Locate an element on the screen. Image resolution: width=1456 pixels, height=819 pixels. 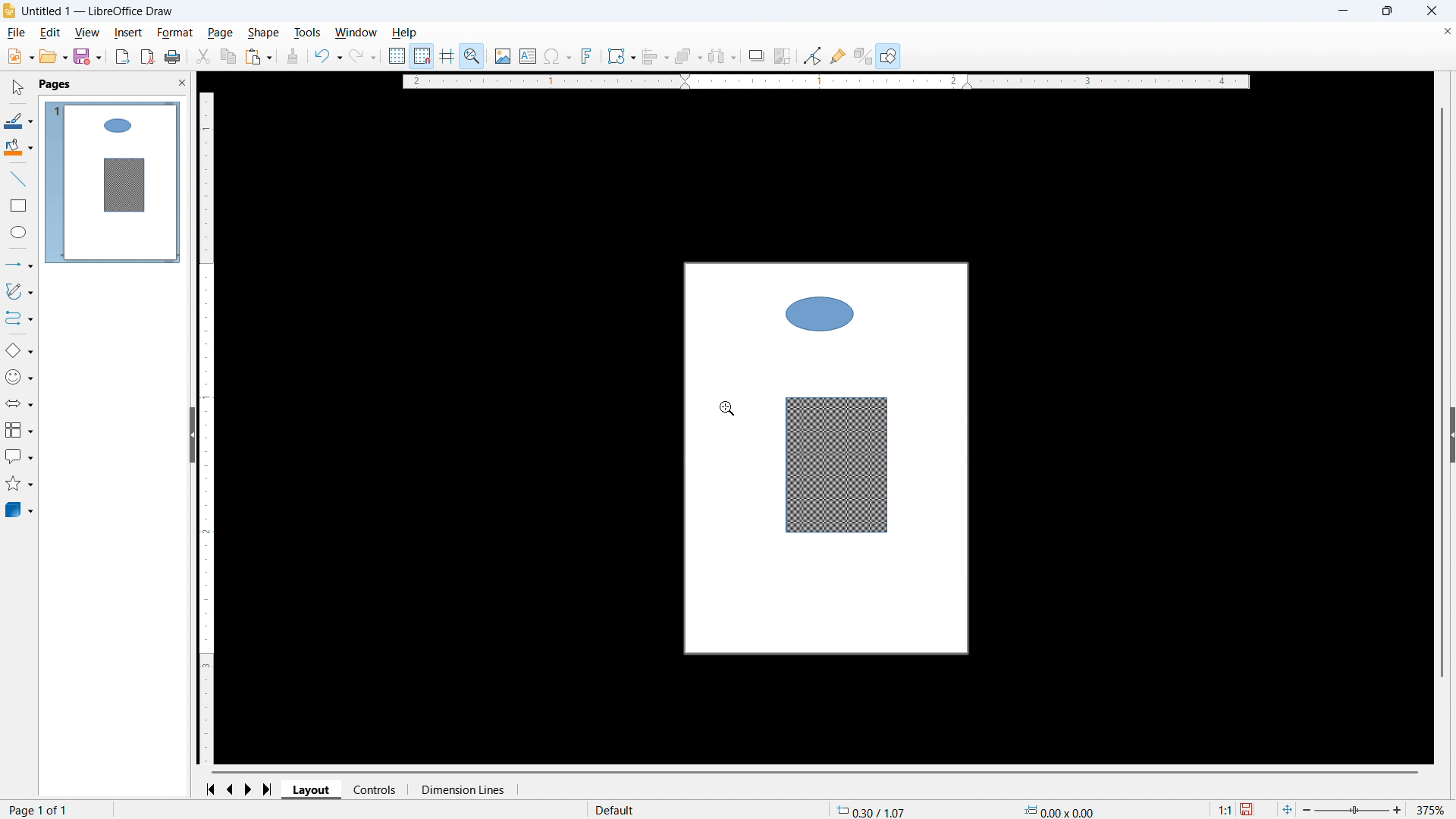
Insert symbol  is located at coordinates (557, 55).